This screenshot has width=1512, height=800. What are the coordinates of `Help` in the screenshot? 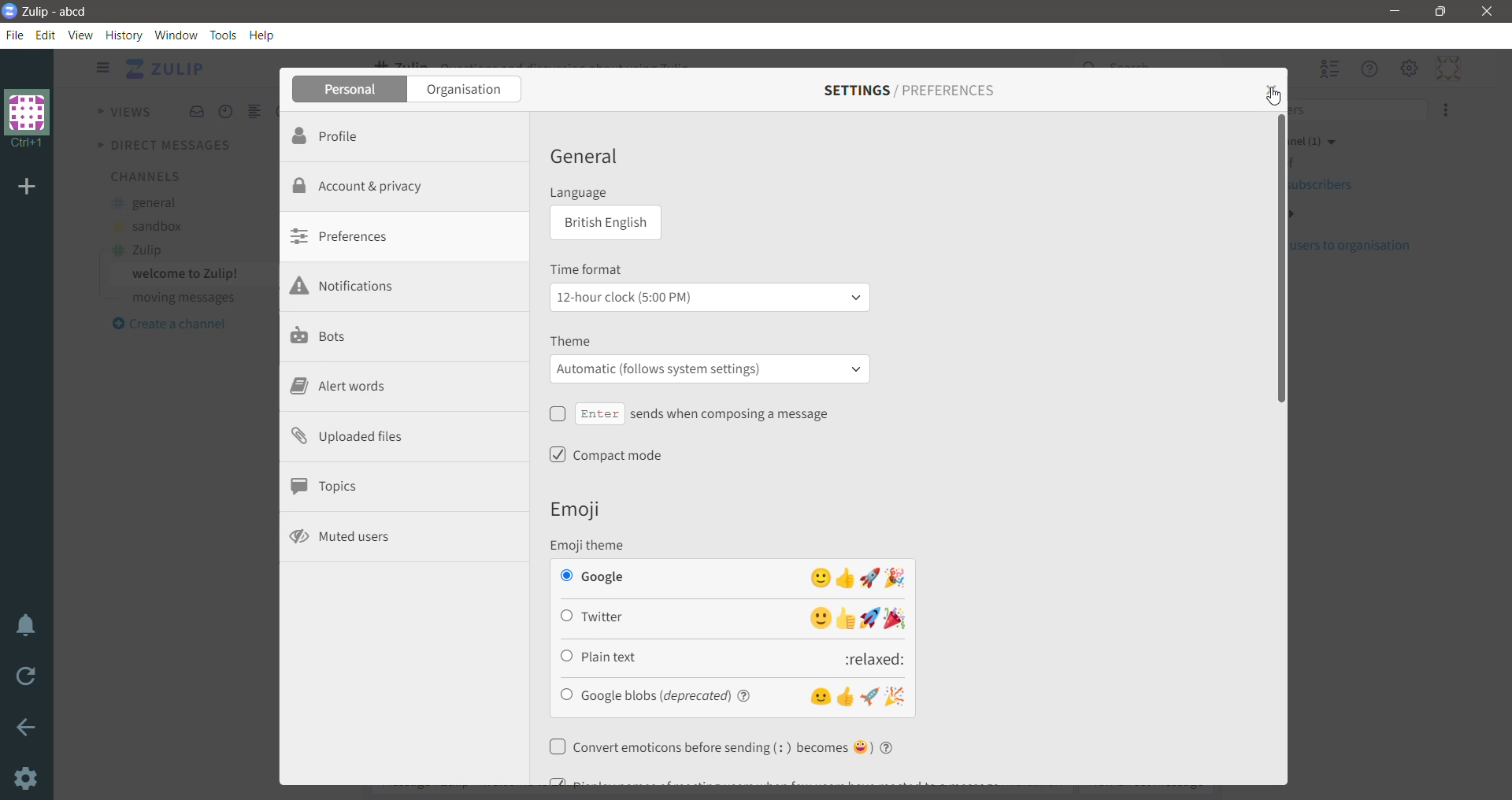 It's located at (263, 36).